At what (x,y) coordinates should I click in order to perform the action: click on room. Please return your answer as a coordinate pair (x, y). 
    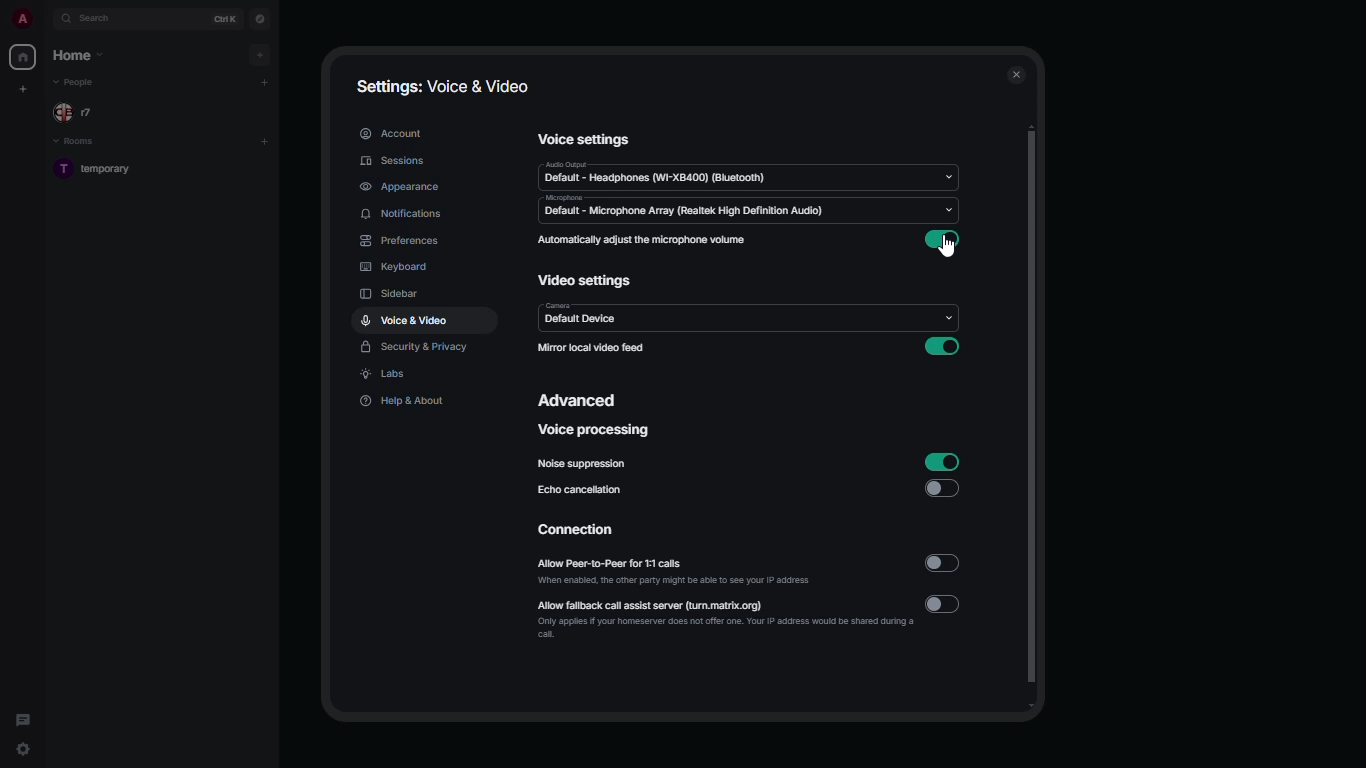
    Looking at the image, I should click on (106, 170).